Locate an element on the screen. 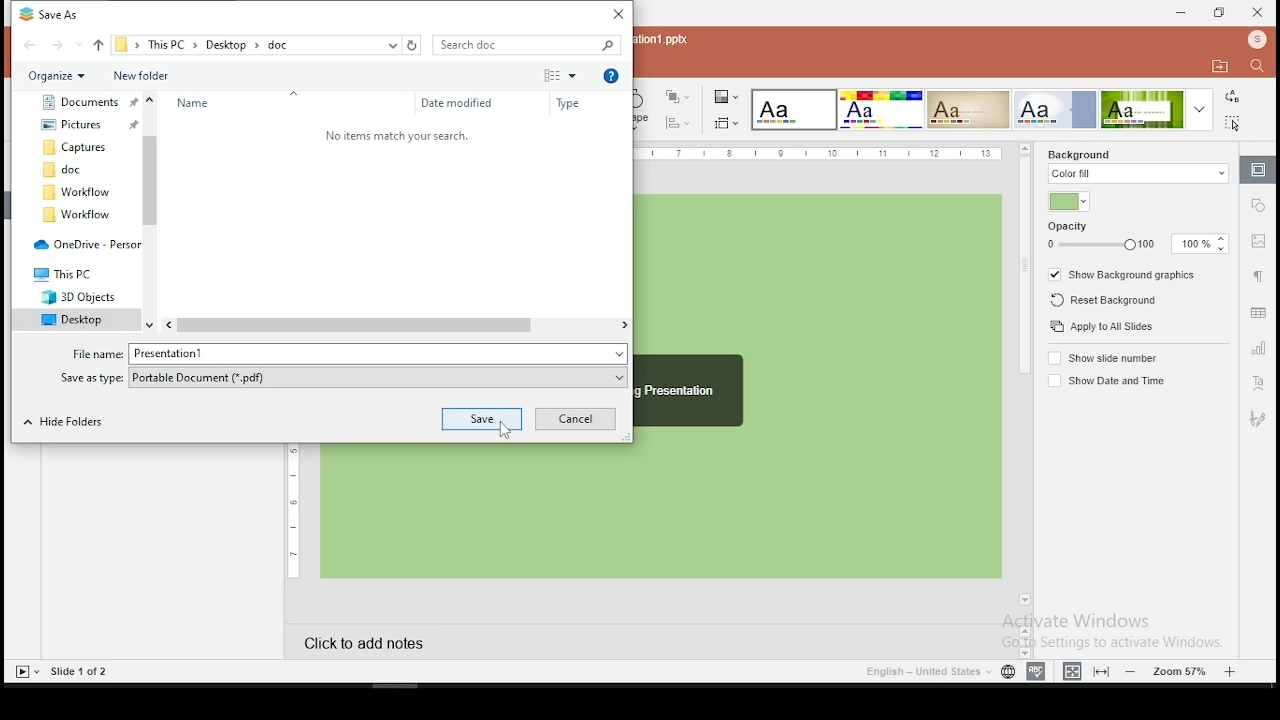  This PC is located at coordinates (69, 275).